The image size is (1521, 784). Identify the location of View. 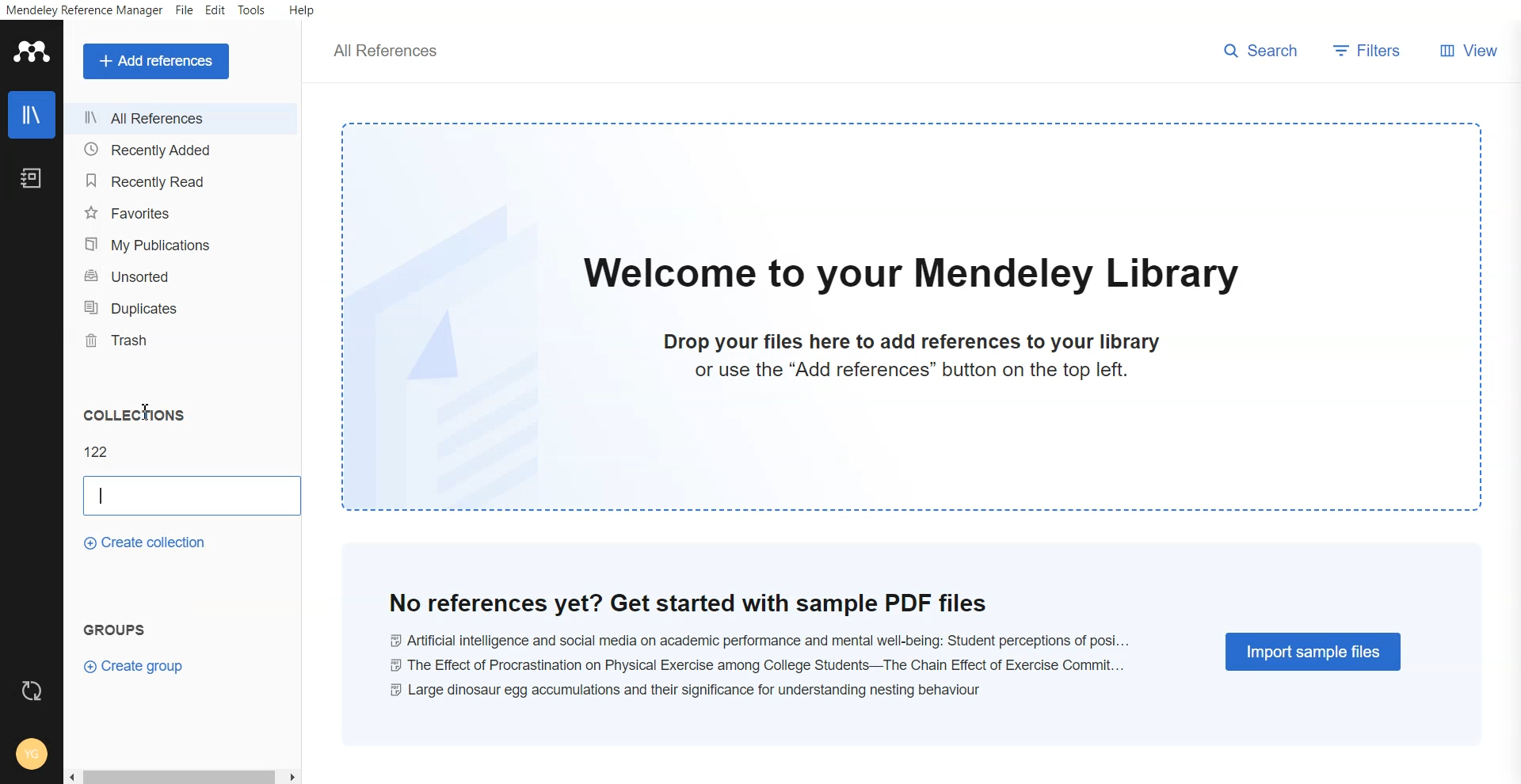
(1465, 49).